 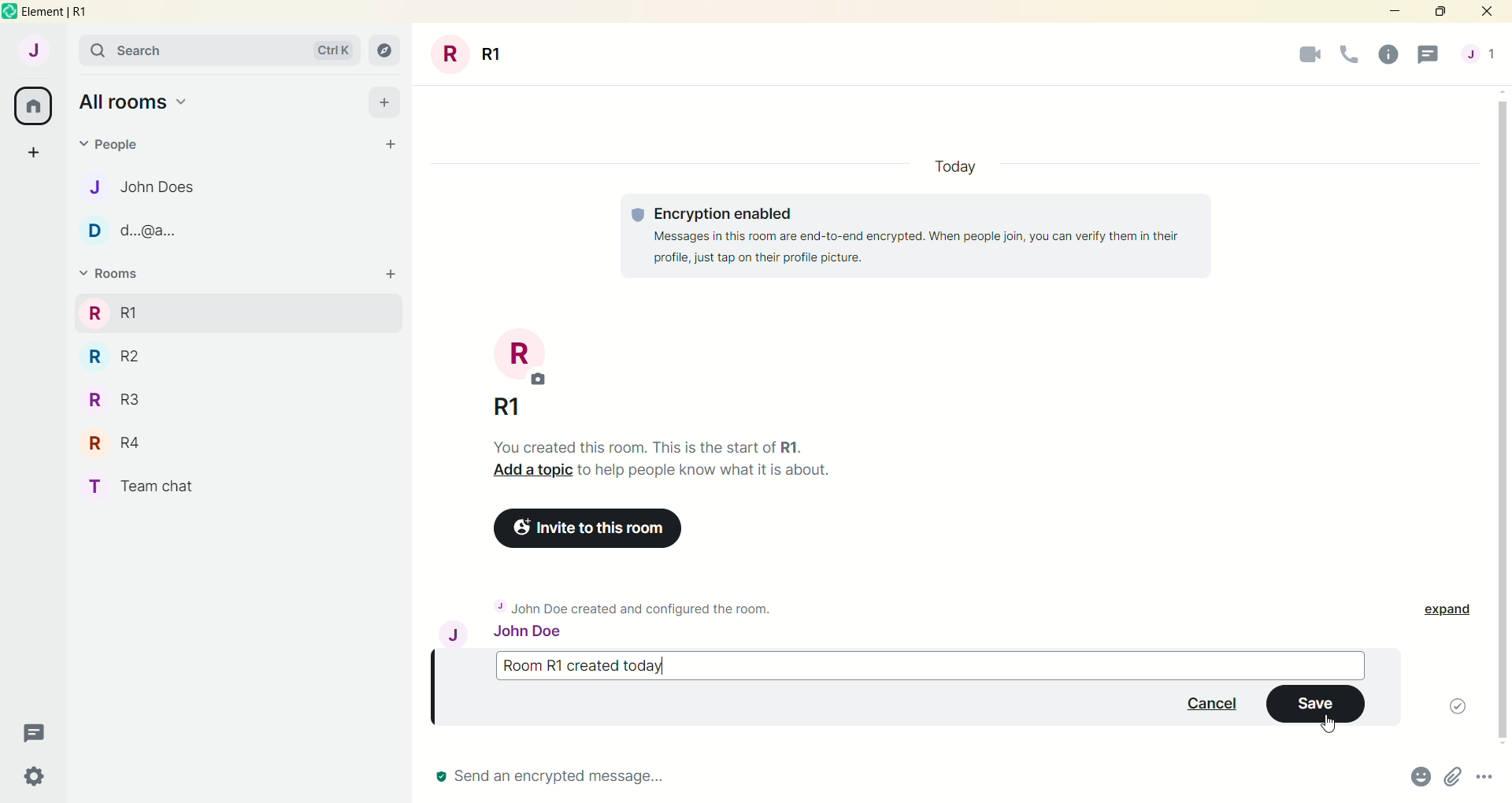 What do you see at coordinates (1490, 12) in the screenshot?
I see `close` at bounding box center [1490, 12].